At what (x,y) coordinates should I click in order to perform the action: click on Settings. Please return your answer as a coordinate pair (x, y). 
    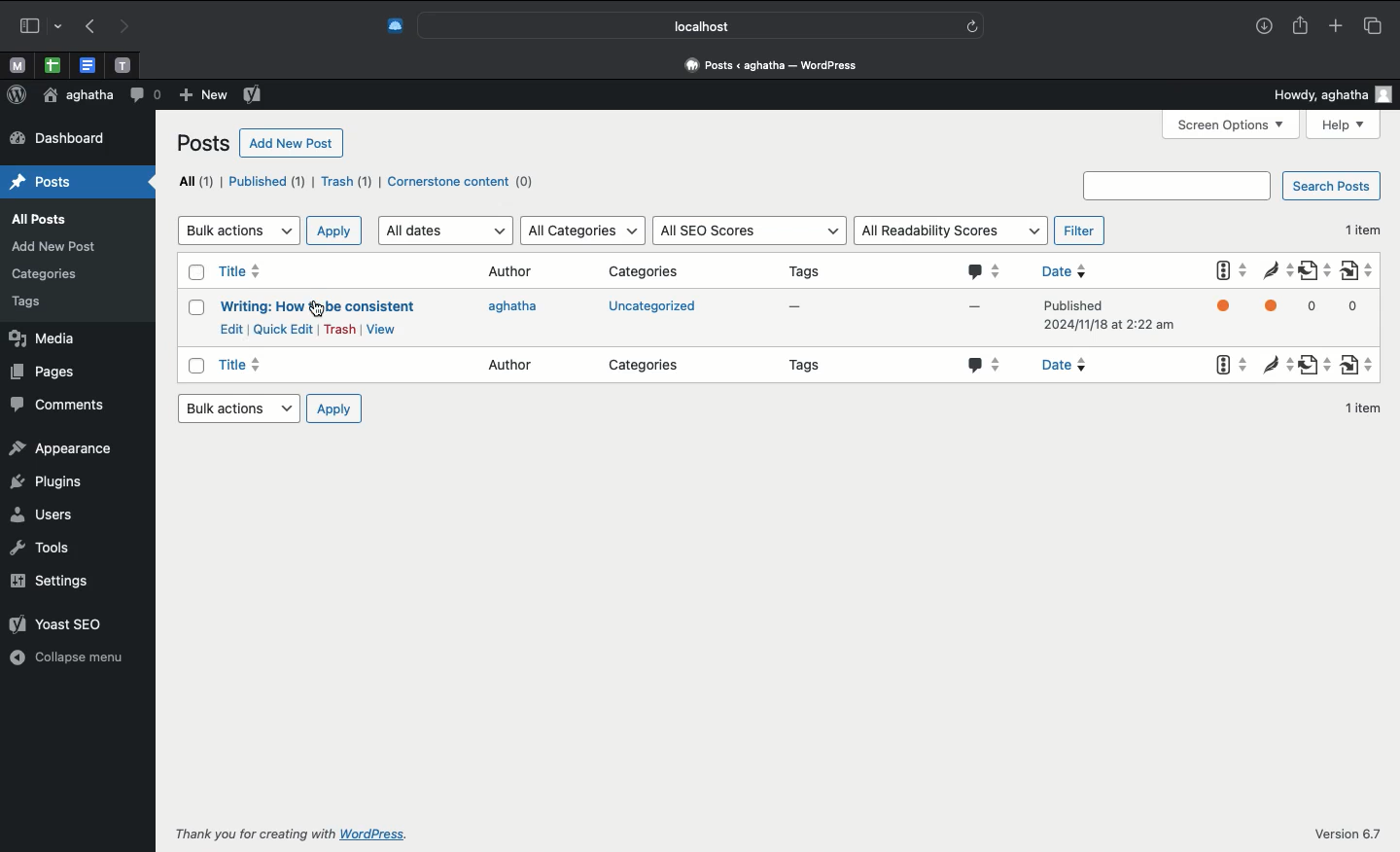
    Looking at the image, I should click on (51, 578).